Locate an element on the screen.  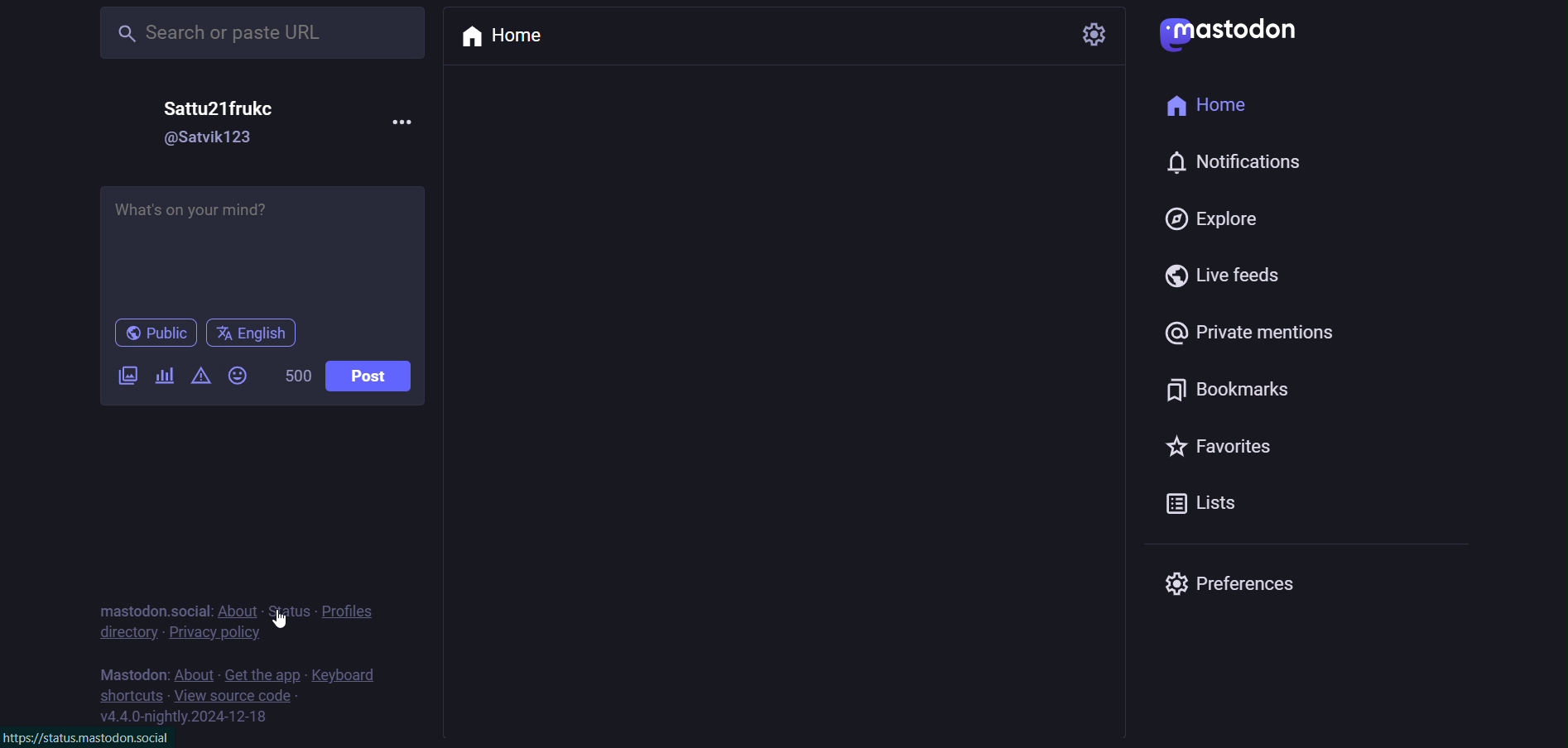
logo is located at coordinates (1230, 36).